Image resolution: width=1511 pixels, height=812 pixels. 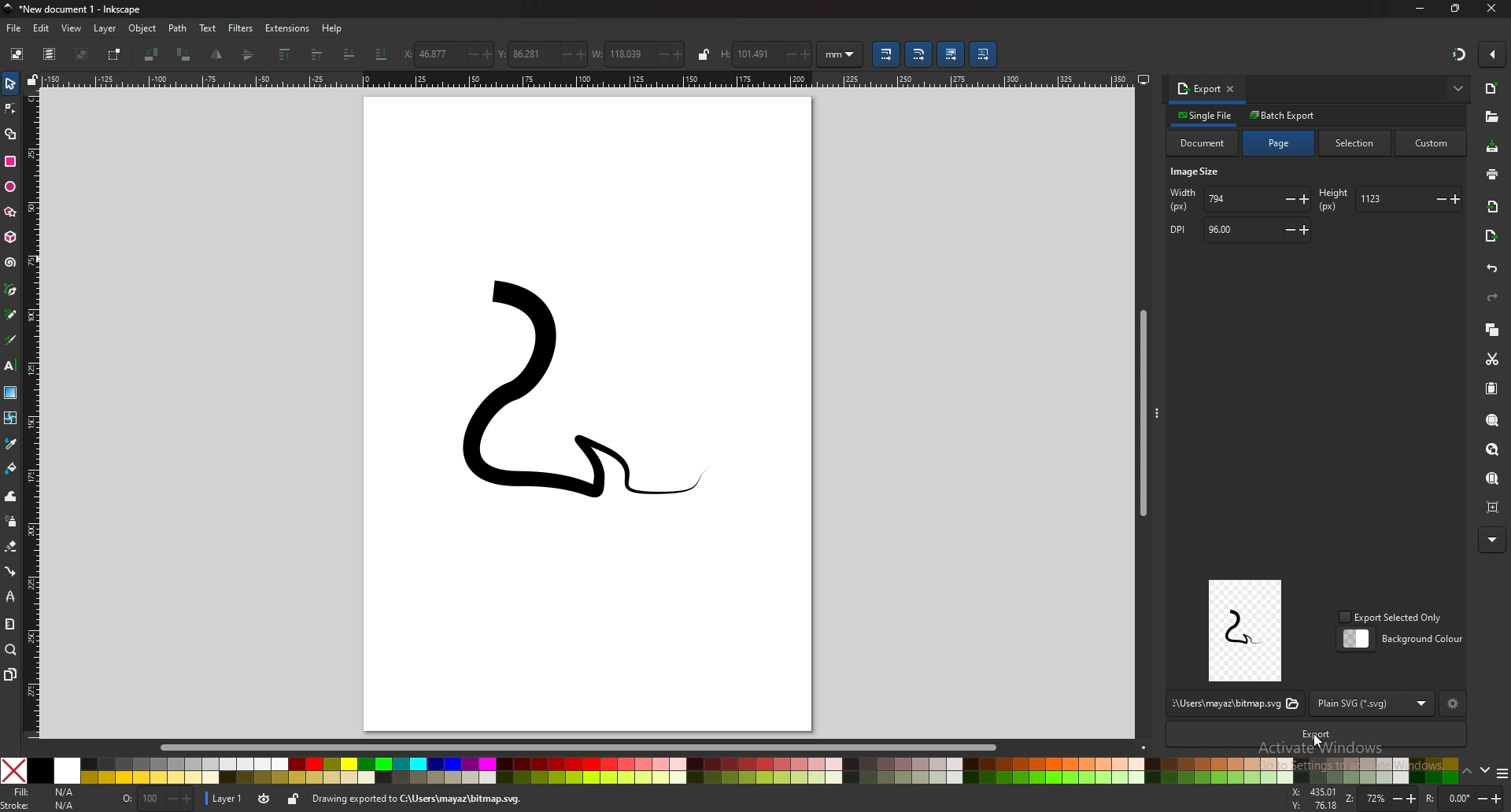 I want to click on horizontal scale, so click(x=588, y=79).